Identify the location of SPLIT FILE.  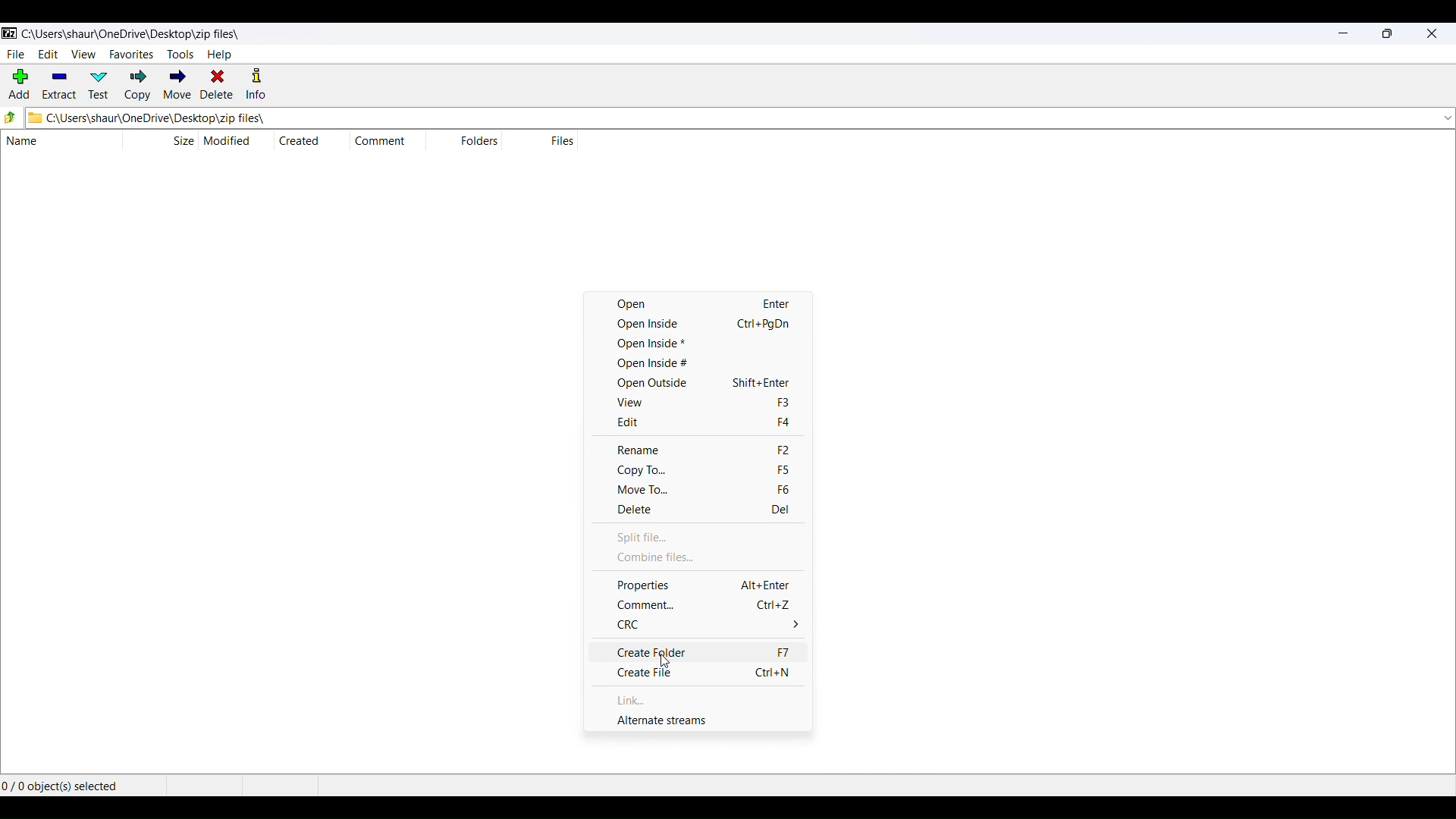
(713, 537).